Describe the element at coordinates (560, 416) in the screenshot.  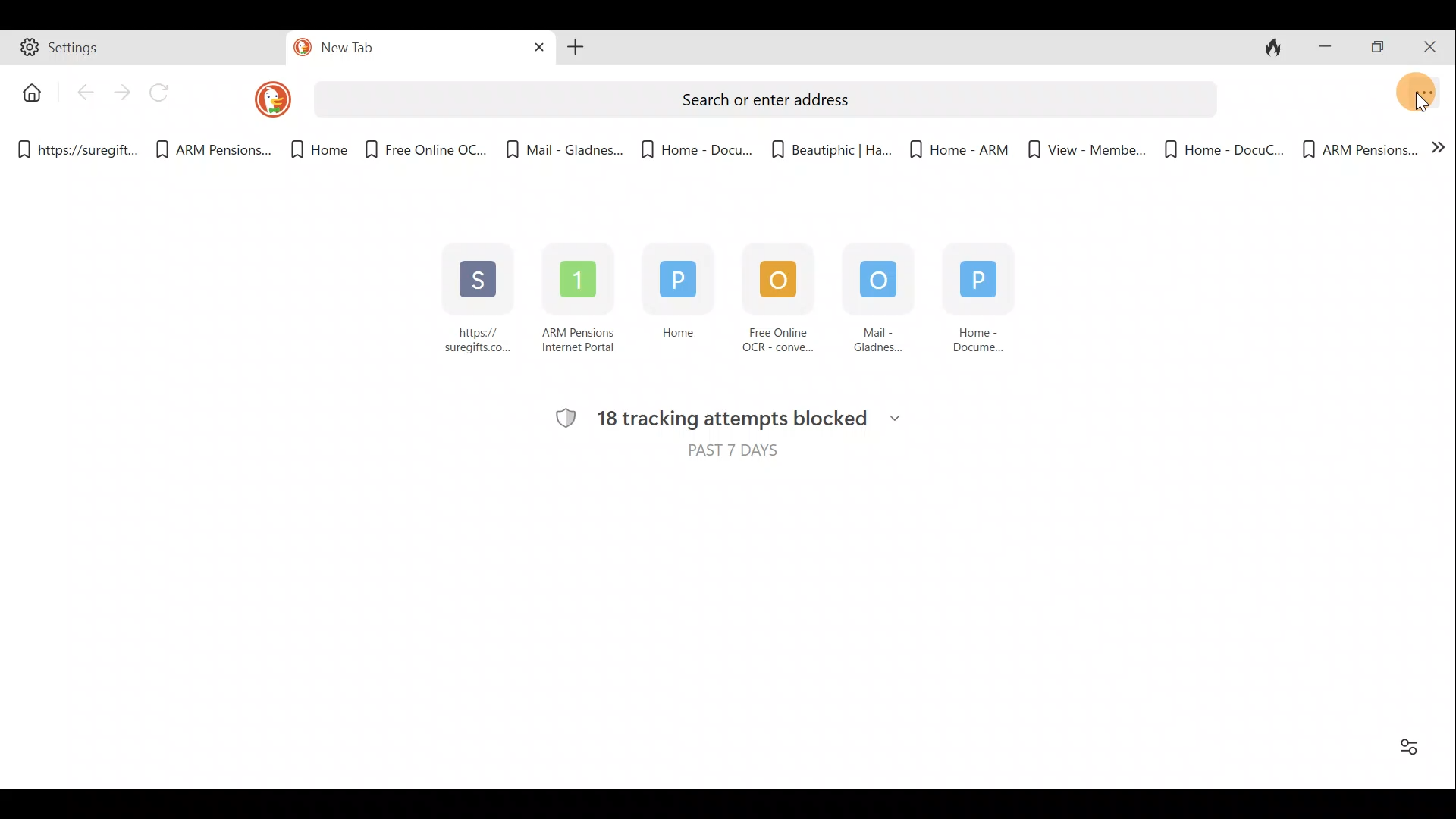
I see `tracking logo` at that location.